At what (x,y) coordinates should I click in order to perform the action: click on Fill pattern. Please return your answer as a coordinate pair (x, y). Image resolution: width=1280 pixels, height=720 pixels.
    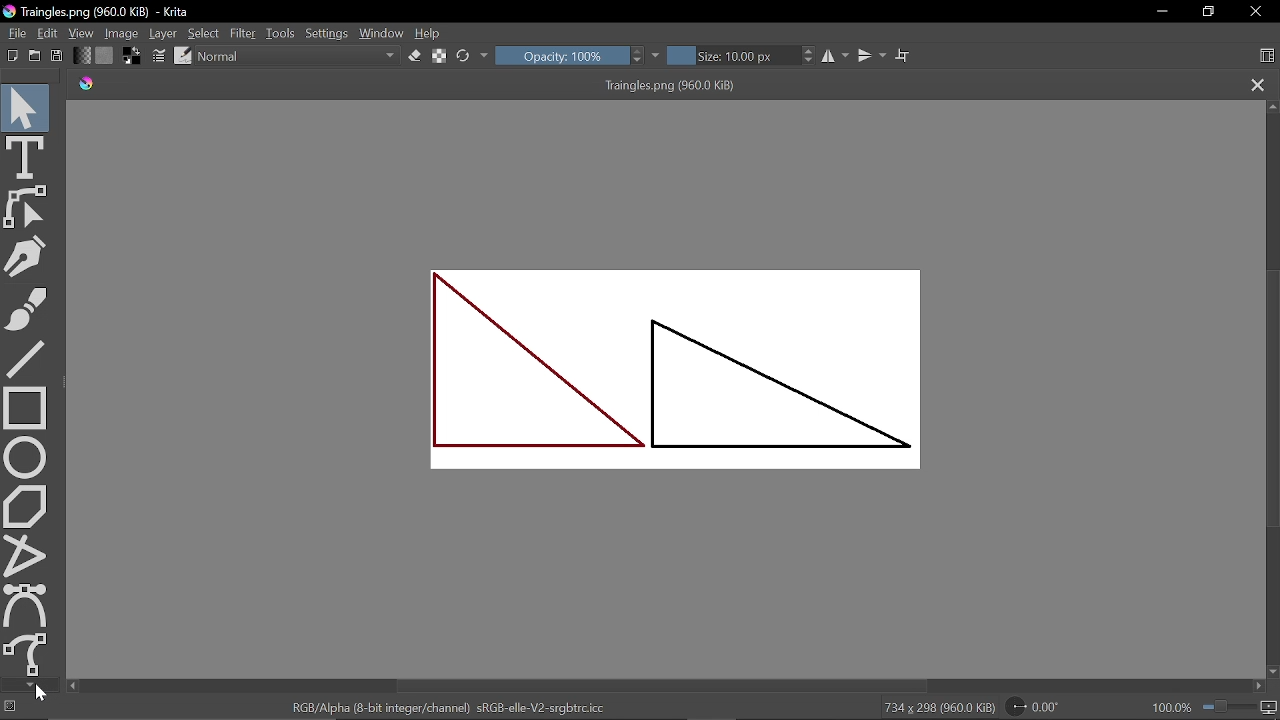
    Looking at the image, I should click on (105, 56).